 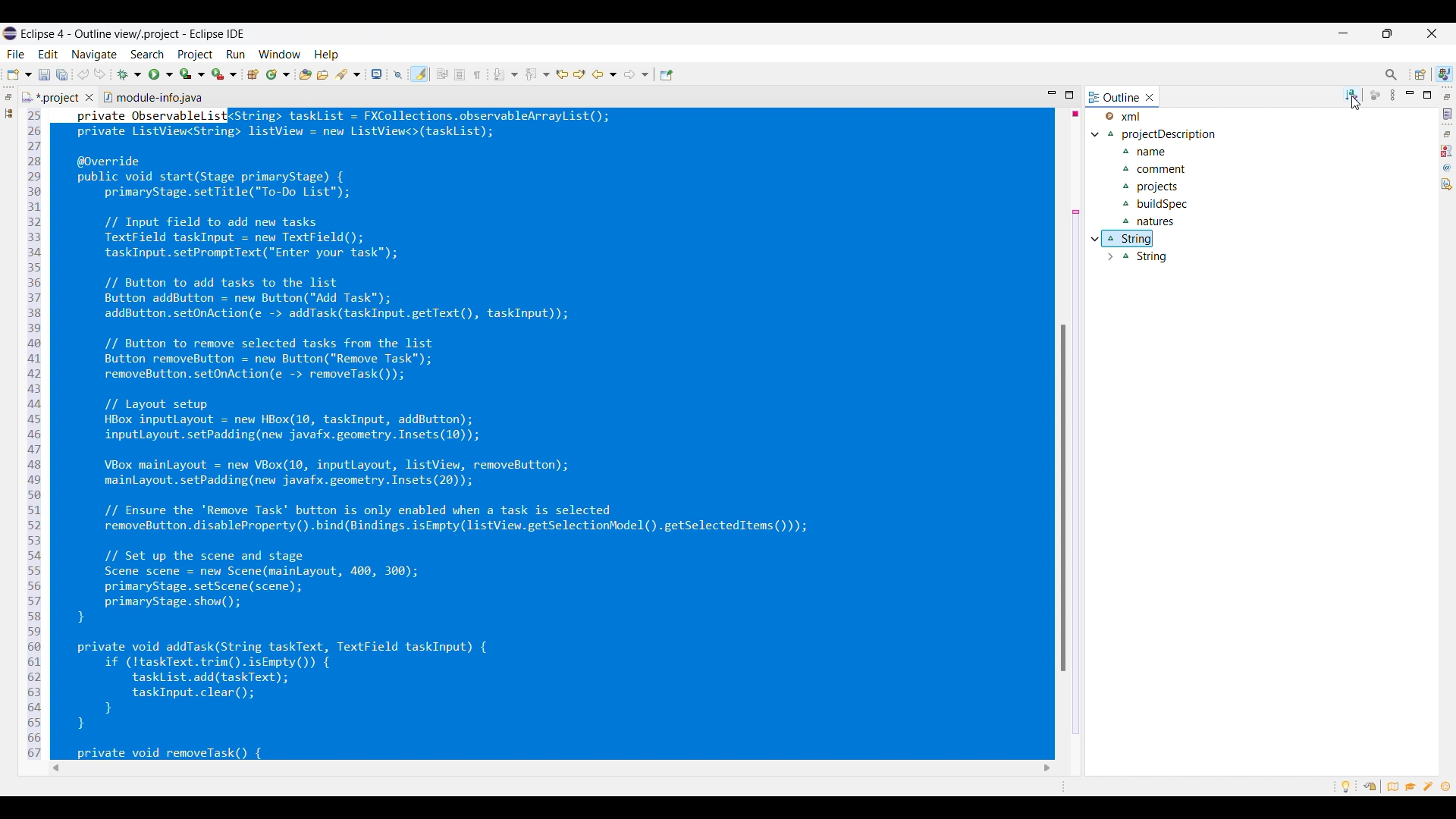 I want to click on Save, so click(x=45, y=75).